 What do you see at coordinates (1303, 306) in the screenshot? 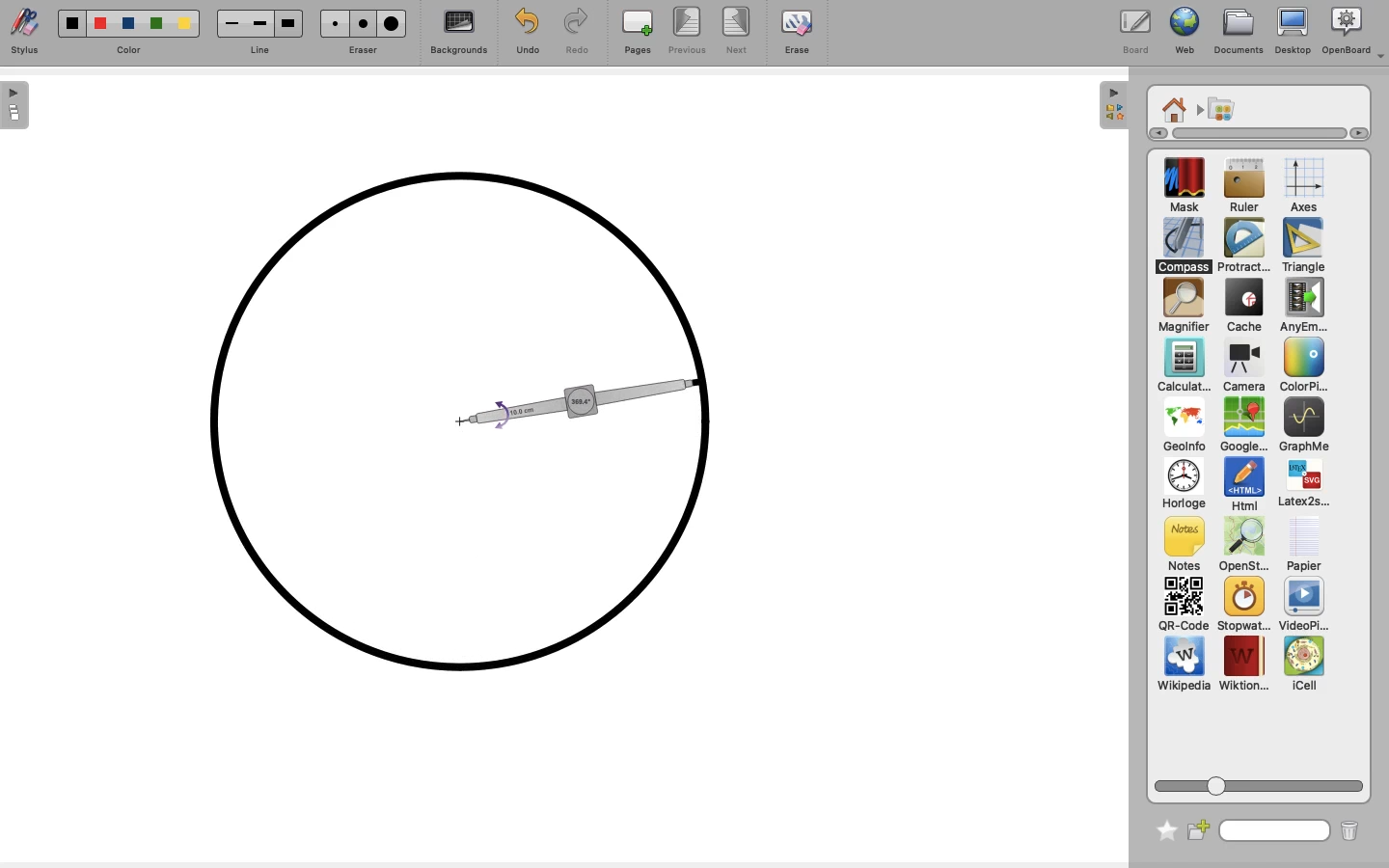
I see `Any` at bounding box center [1303, 306].